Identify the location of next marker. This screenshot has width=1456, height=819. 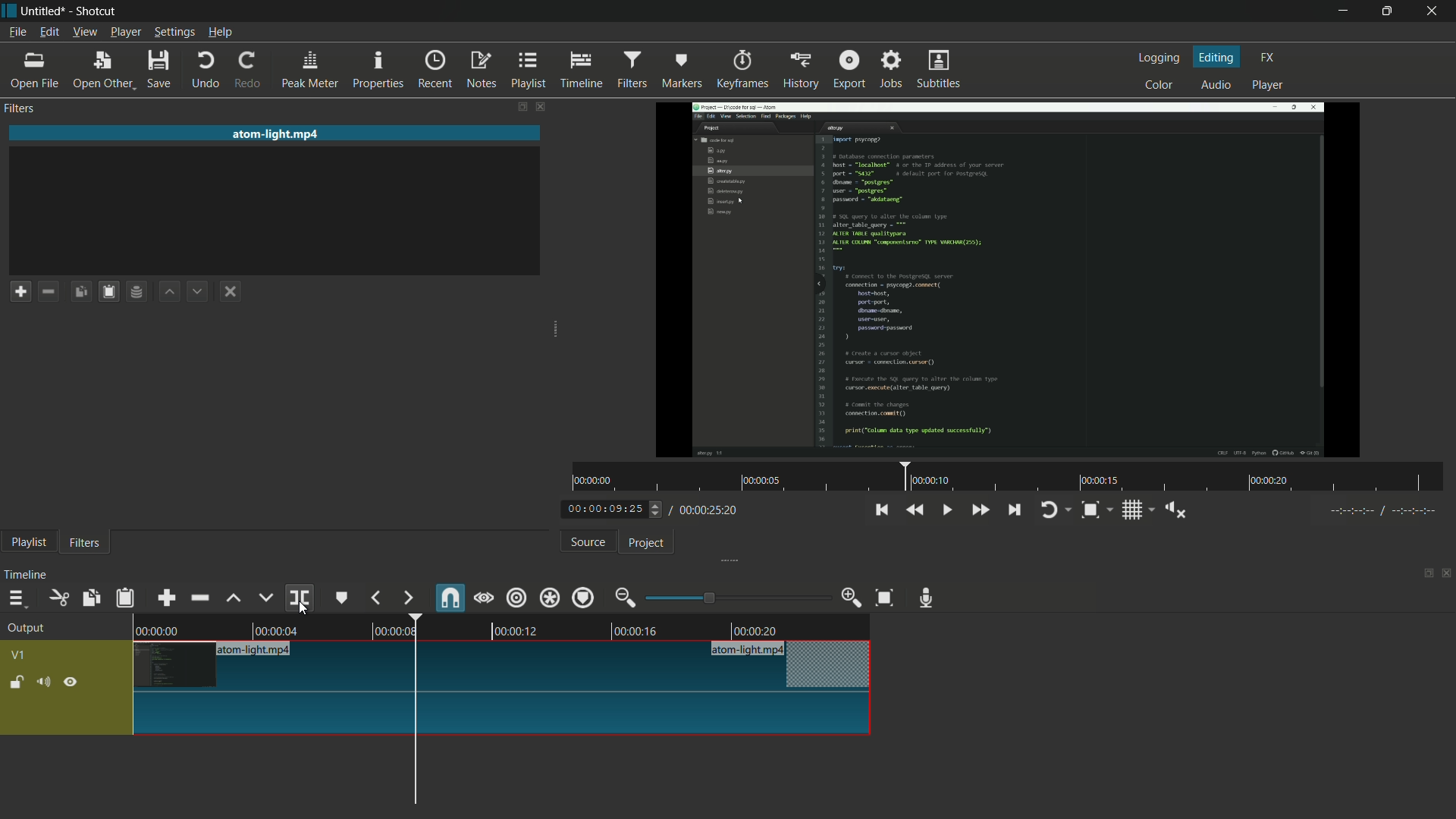
(407, 598).